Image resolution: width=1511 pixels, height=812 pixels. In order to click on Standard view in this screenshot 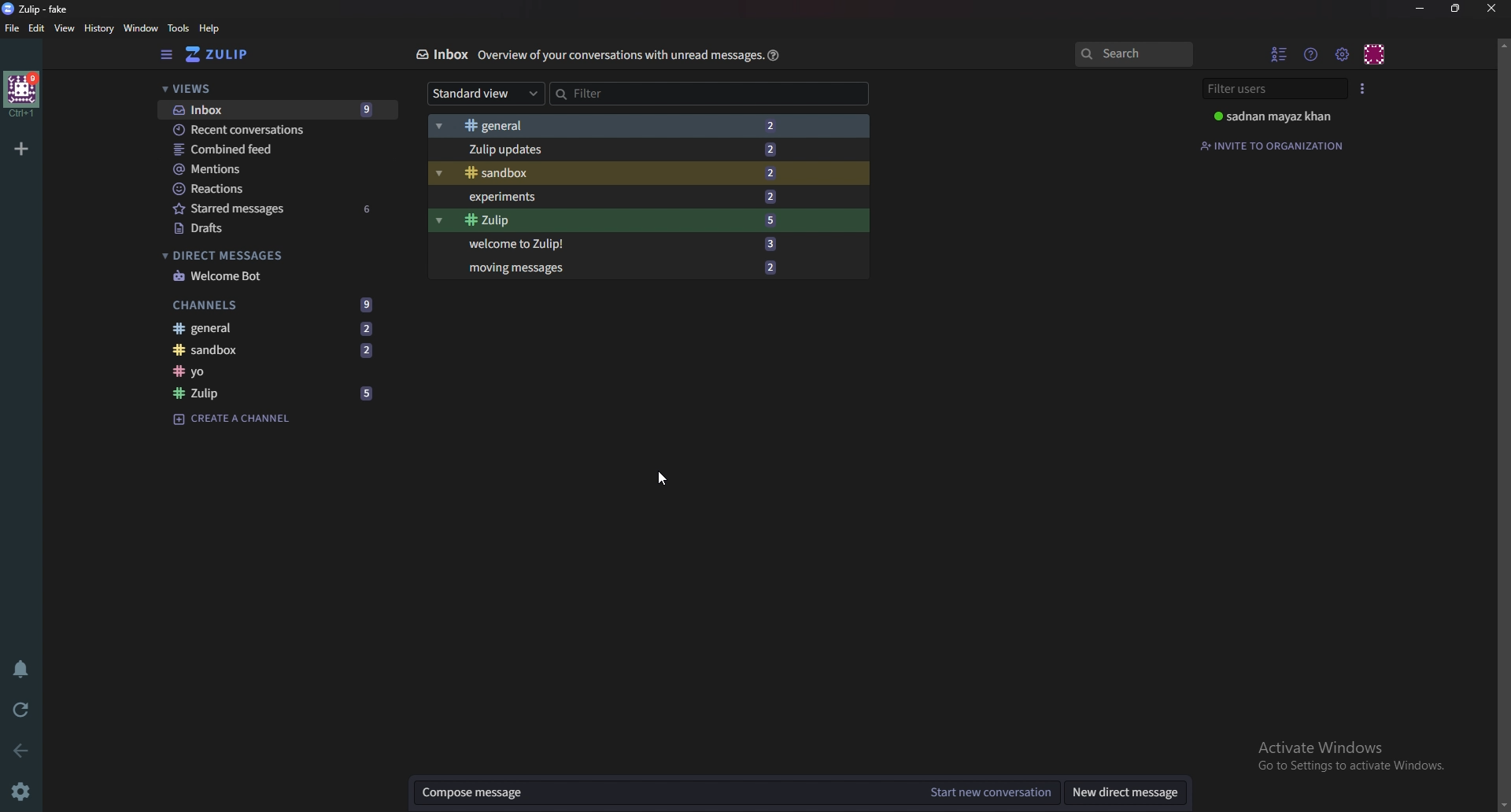, I will do `click(487, 93)`.